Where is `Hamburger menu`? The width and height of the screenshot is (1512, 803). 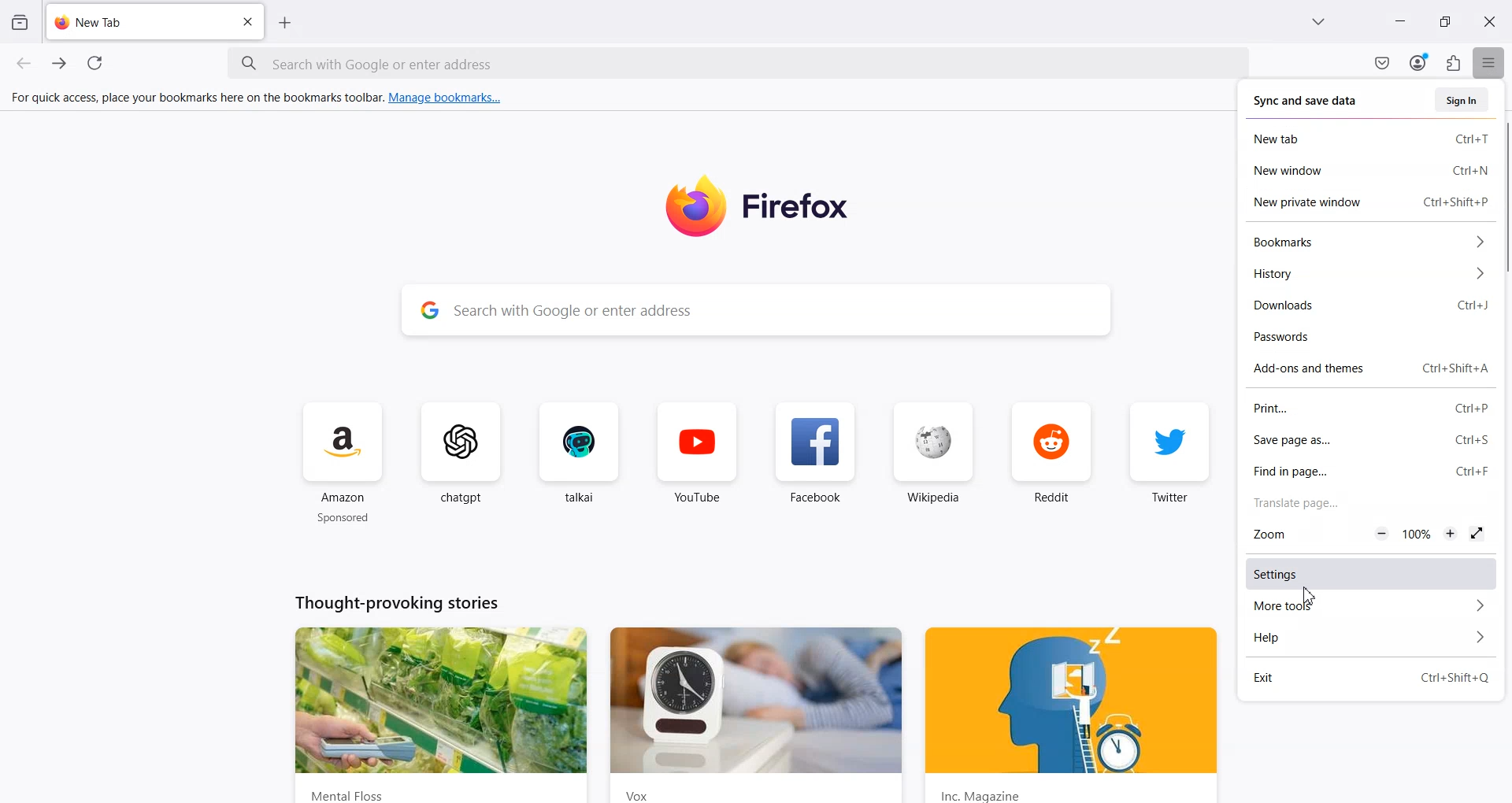
Hamburger menu is located at coordinates (1491, 64).